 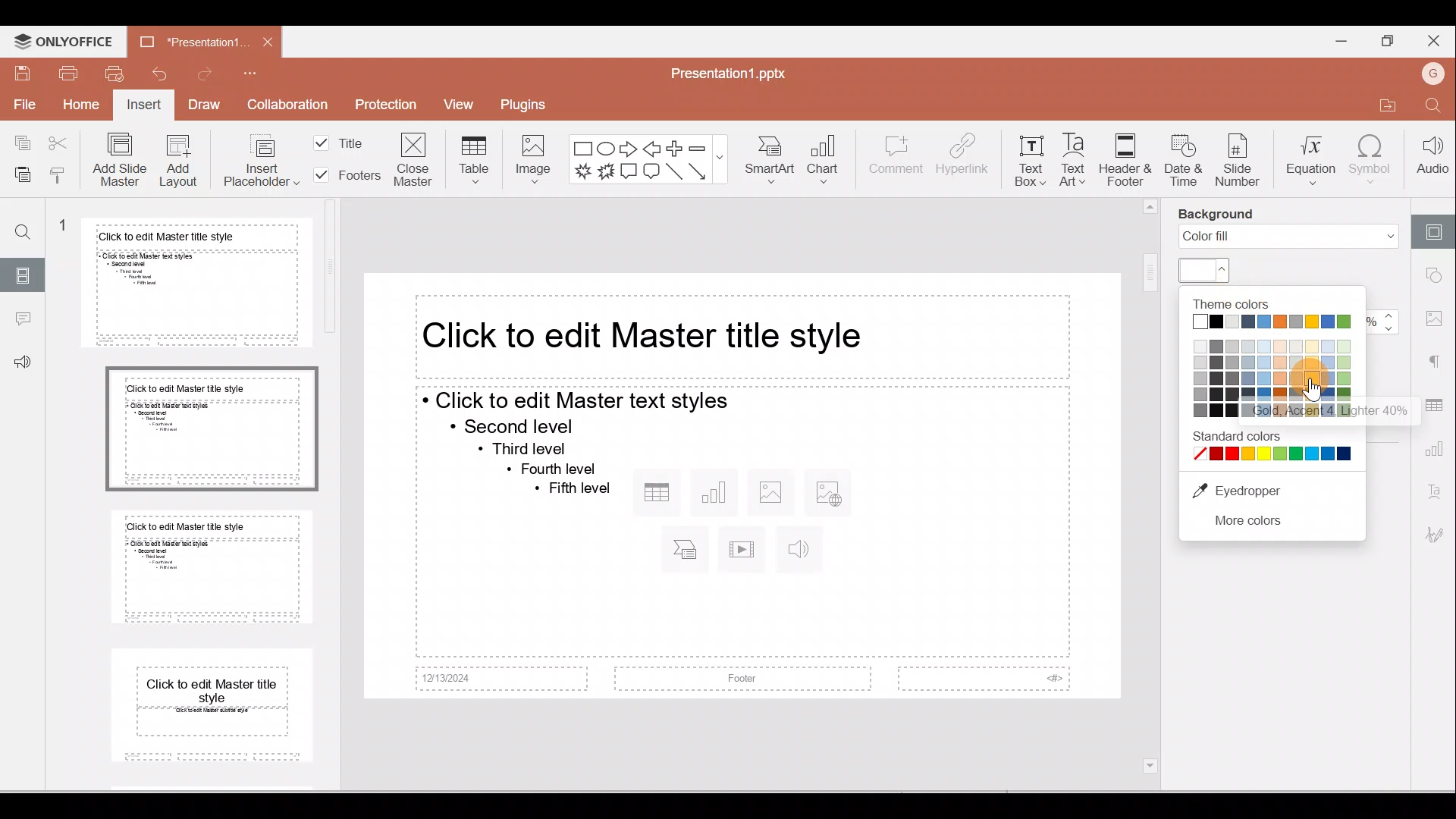 What do you see at coordinates (143, 106) in the screenshot?
I see `Insert` at bounding box center [143, 106].